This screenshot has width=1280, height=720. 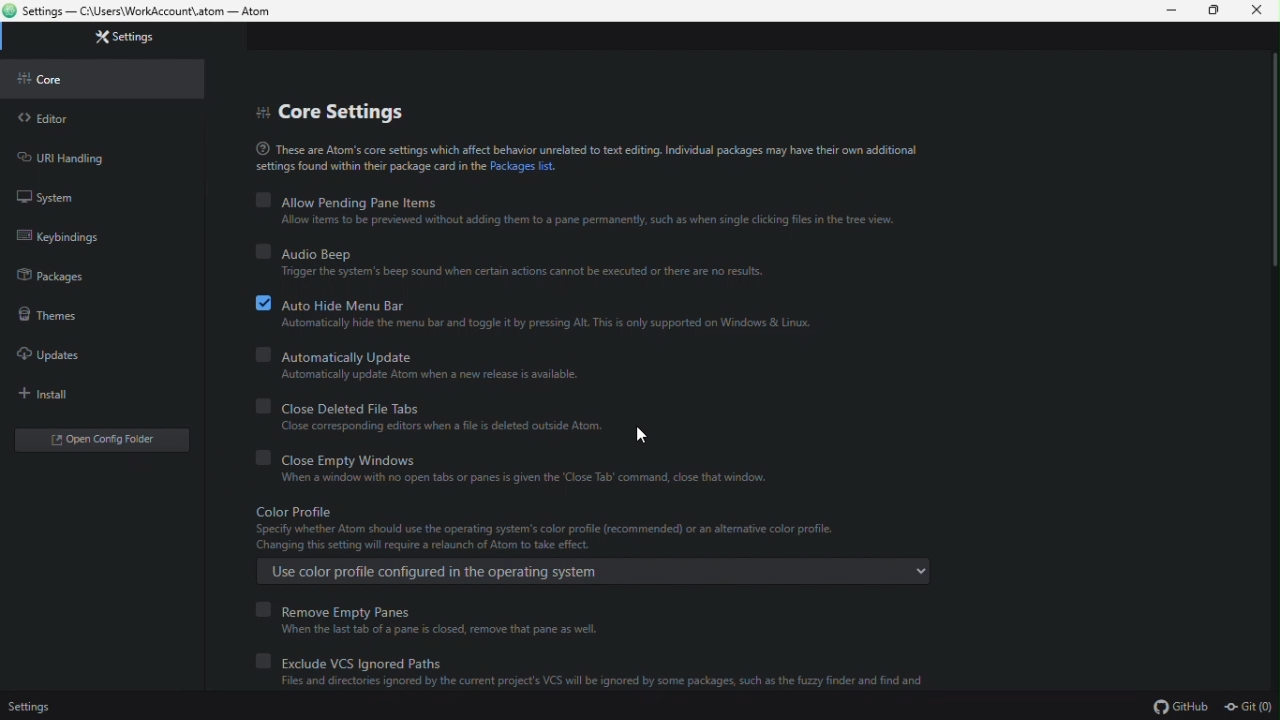 What do you see at coordinates (587, 207) in the screenshot?
I see `Allow pending pane items` at bounding box center [587, 207].